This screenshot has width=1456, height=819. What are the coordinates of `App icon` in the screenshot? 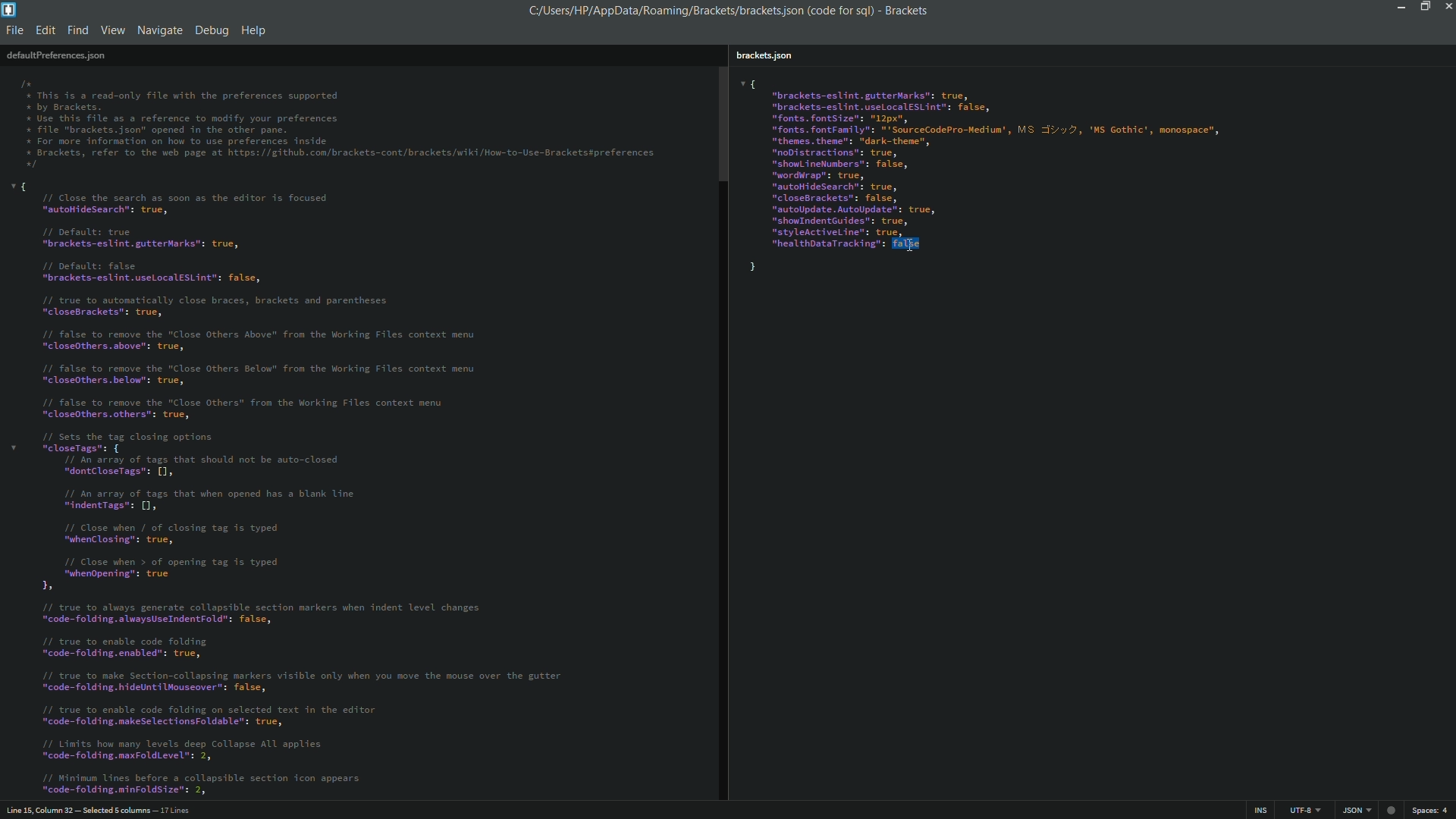 It's located at (11, 10).